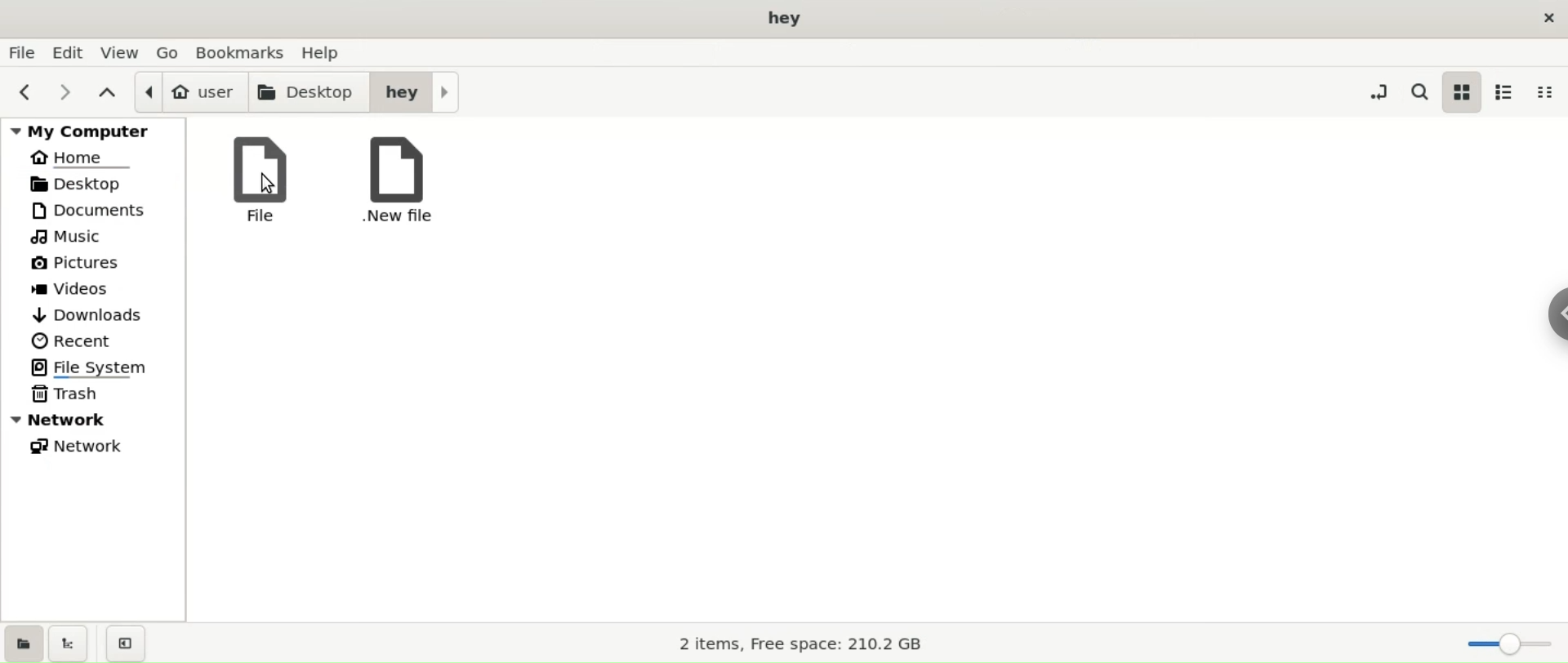 This screenshot has width=1568, height=663. I want to click on list view, so click(1509, 92).